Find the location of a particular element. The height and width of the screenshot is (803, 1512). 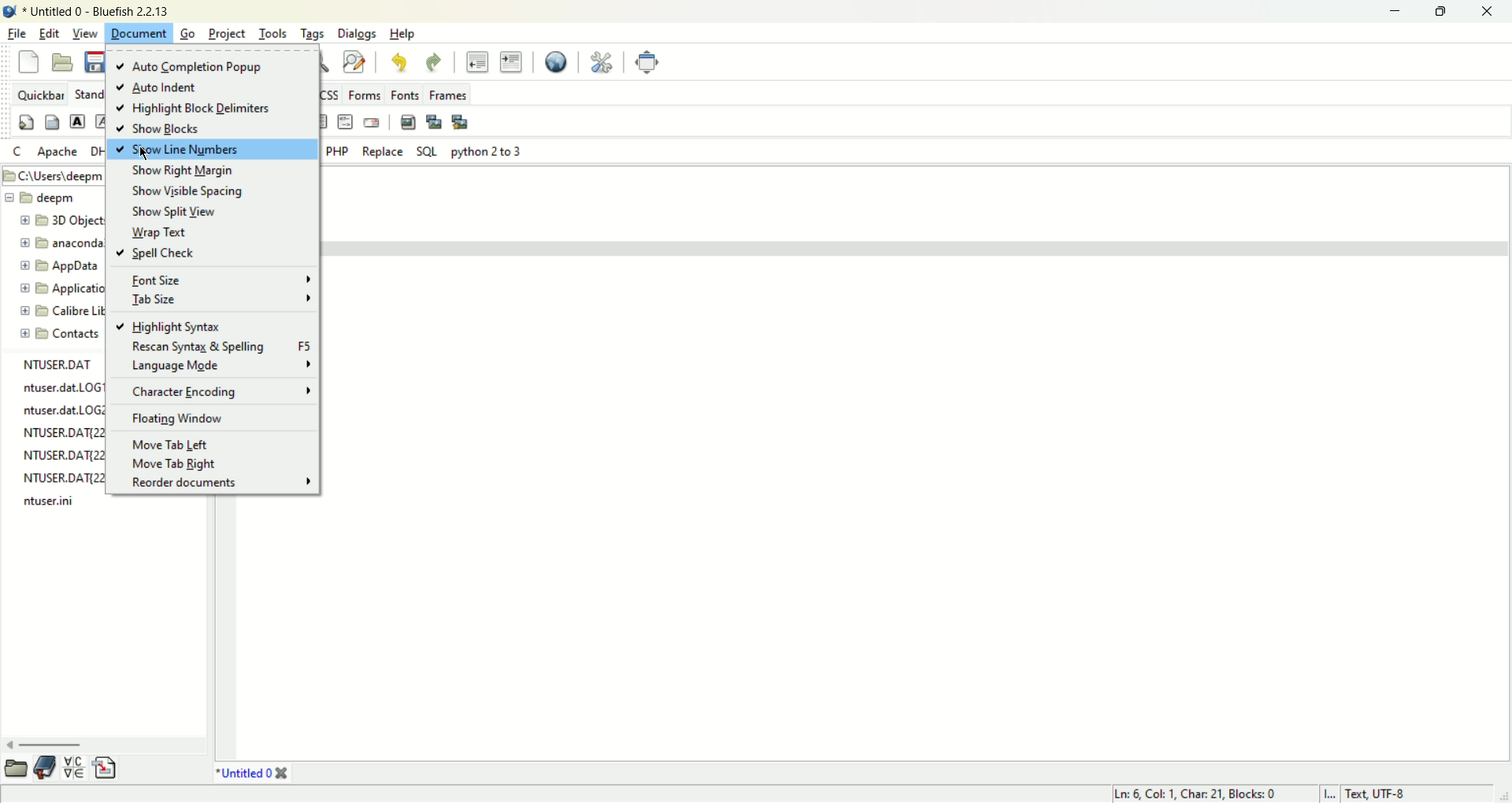

reorder documents is located at coordinates (219, 481).